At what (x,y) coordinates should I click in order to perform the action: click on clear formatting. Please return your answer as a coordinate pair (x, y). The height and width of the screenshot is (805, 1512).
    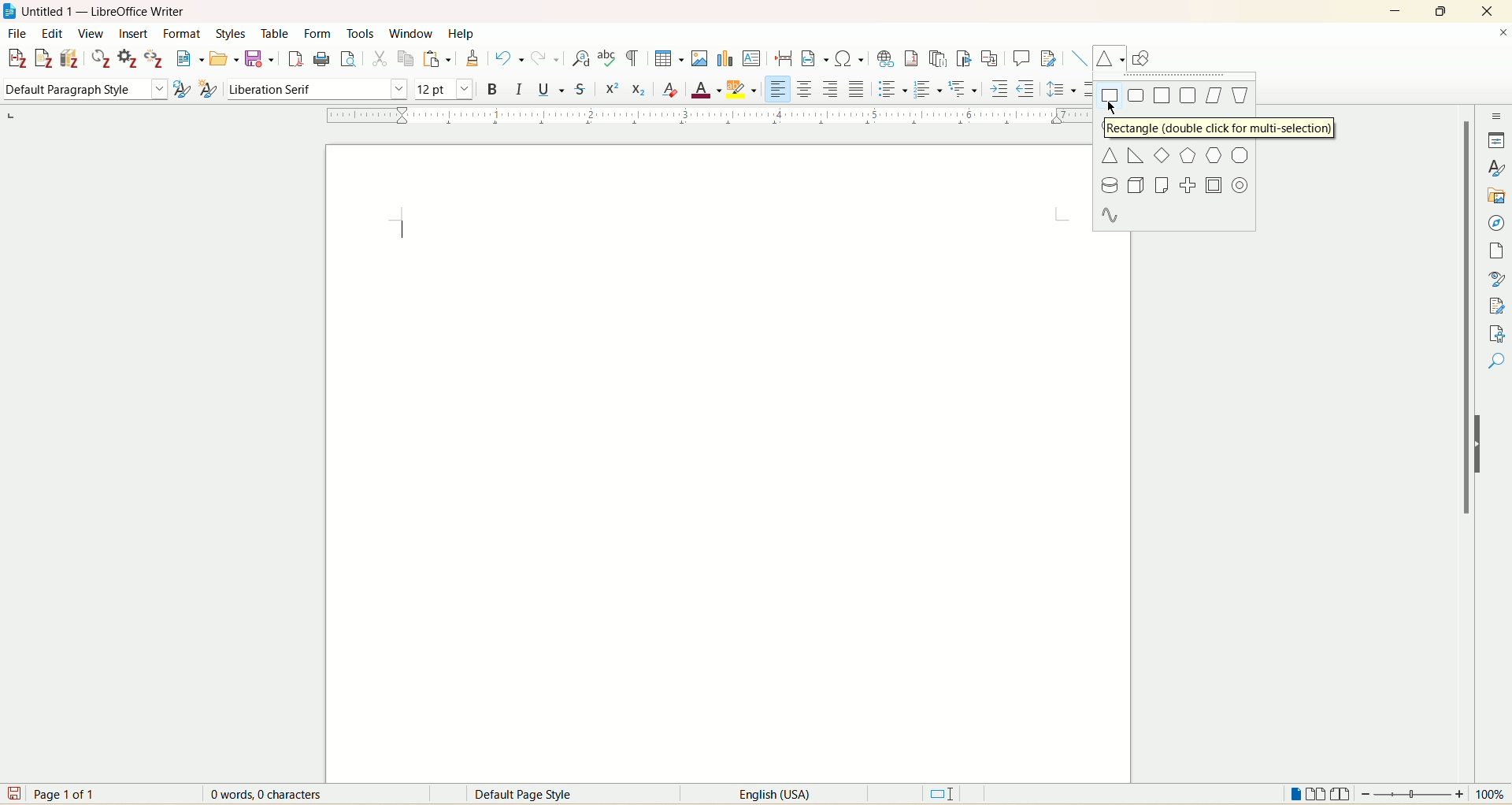
    Looking at the image, I should click on (671, 90).